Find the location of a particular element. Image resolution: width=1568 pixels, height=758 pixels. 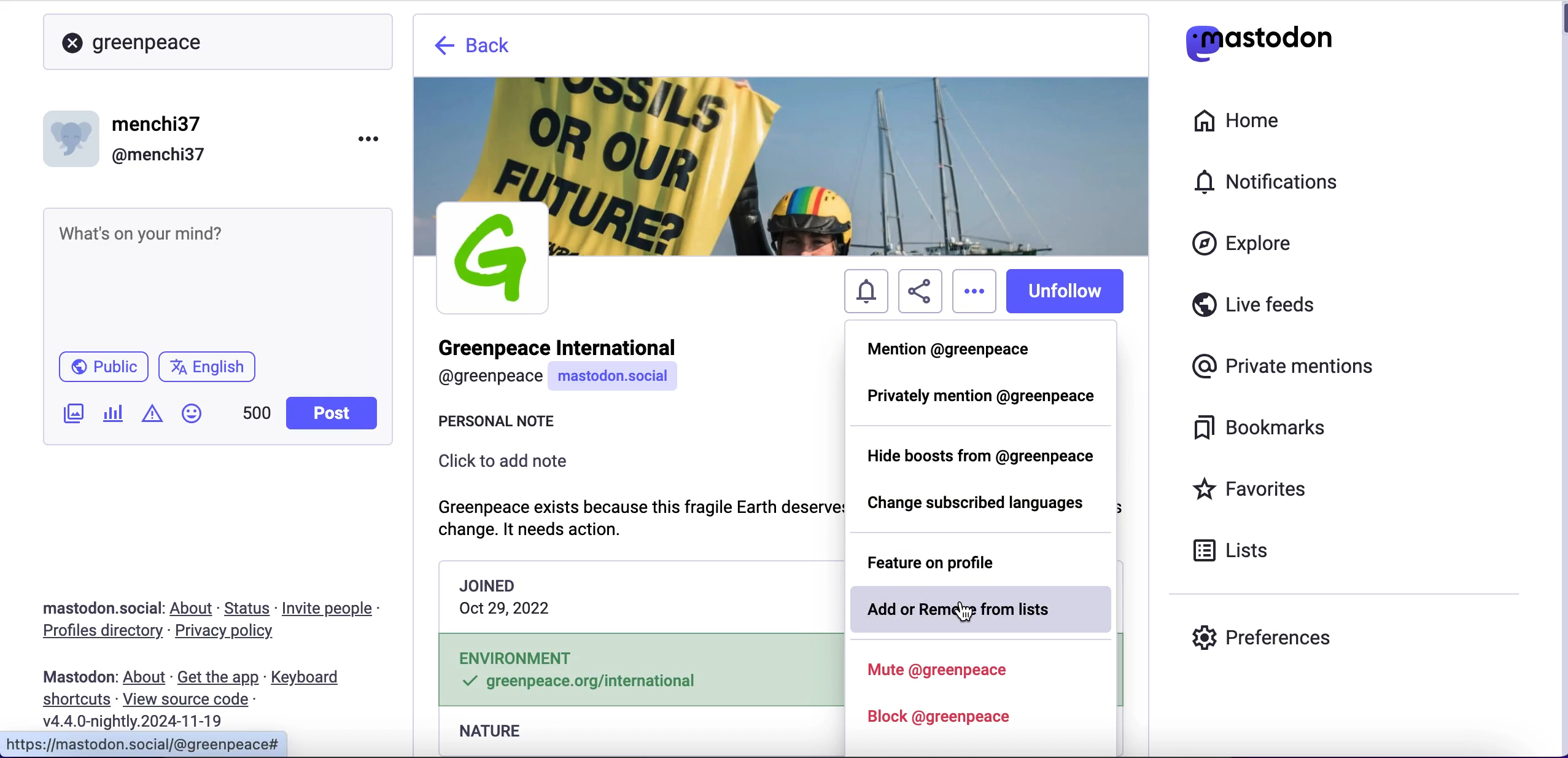

post what's n your mind is located at coordinates (219, 276).